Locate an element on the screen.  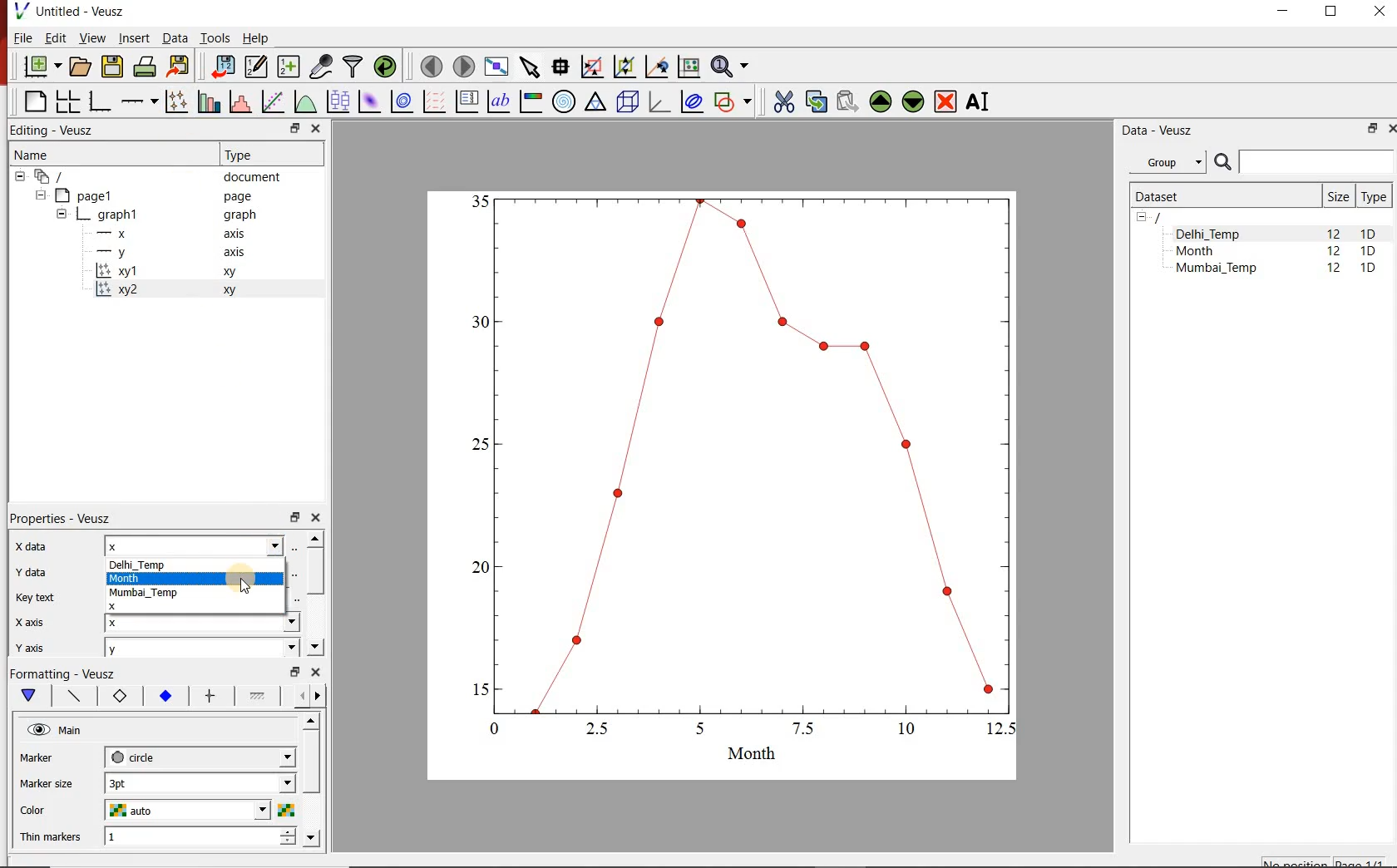
xy1 is located at coordinates (174, 272).